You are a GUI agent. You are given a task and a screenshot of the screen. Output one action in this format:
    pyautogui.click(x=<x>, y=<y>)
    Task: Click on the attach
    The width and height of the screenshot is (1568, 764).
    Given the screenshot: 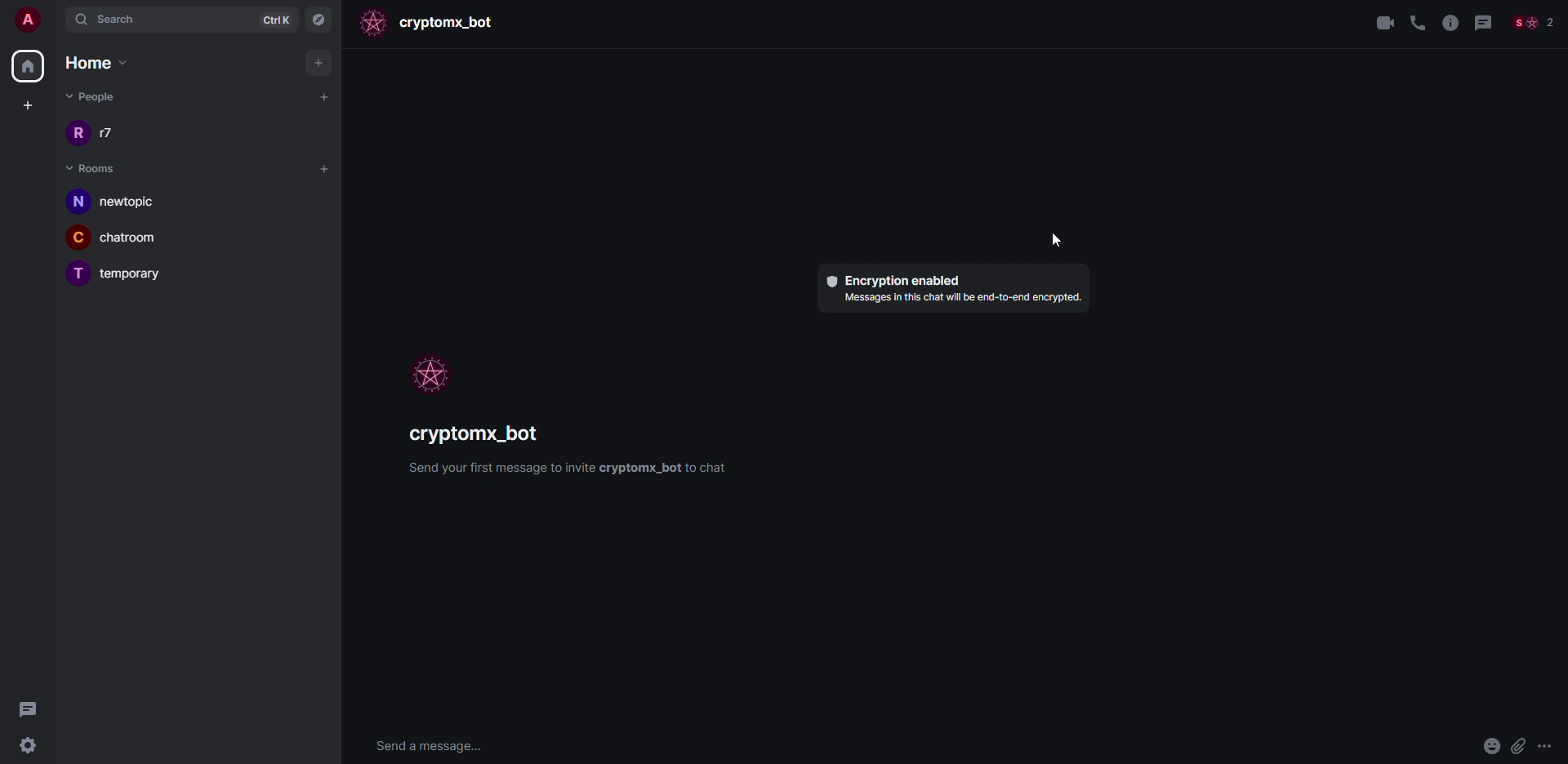 What is the action you would take?
    pyautogui.click(x=1517, y=747)
    